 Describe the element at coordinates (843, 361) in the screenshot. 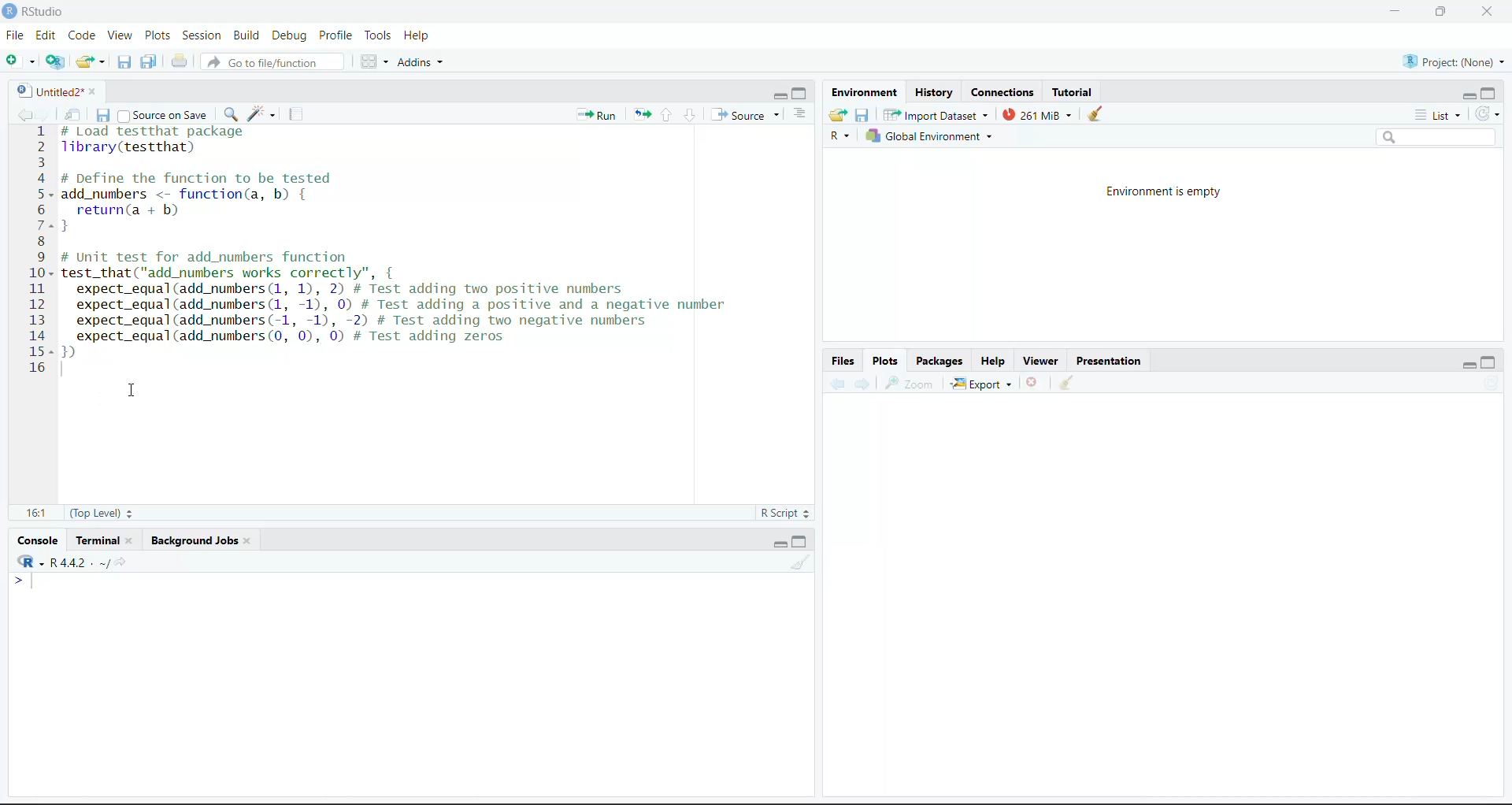

I see `Files` at that location.